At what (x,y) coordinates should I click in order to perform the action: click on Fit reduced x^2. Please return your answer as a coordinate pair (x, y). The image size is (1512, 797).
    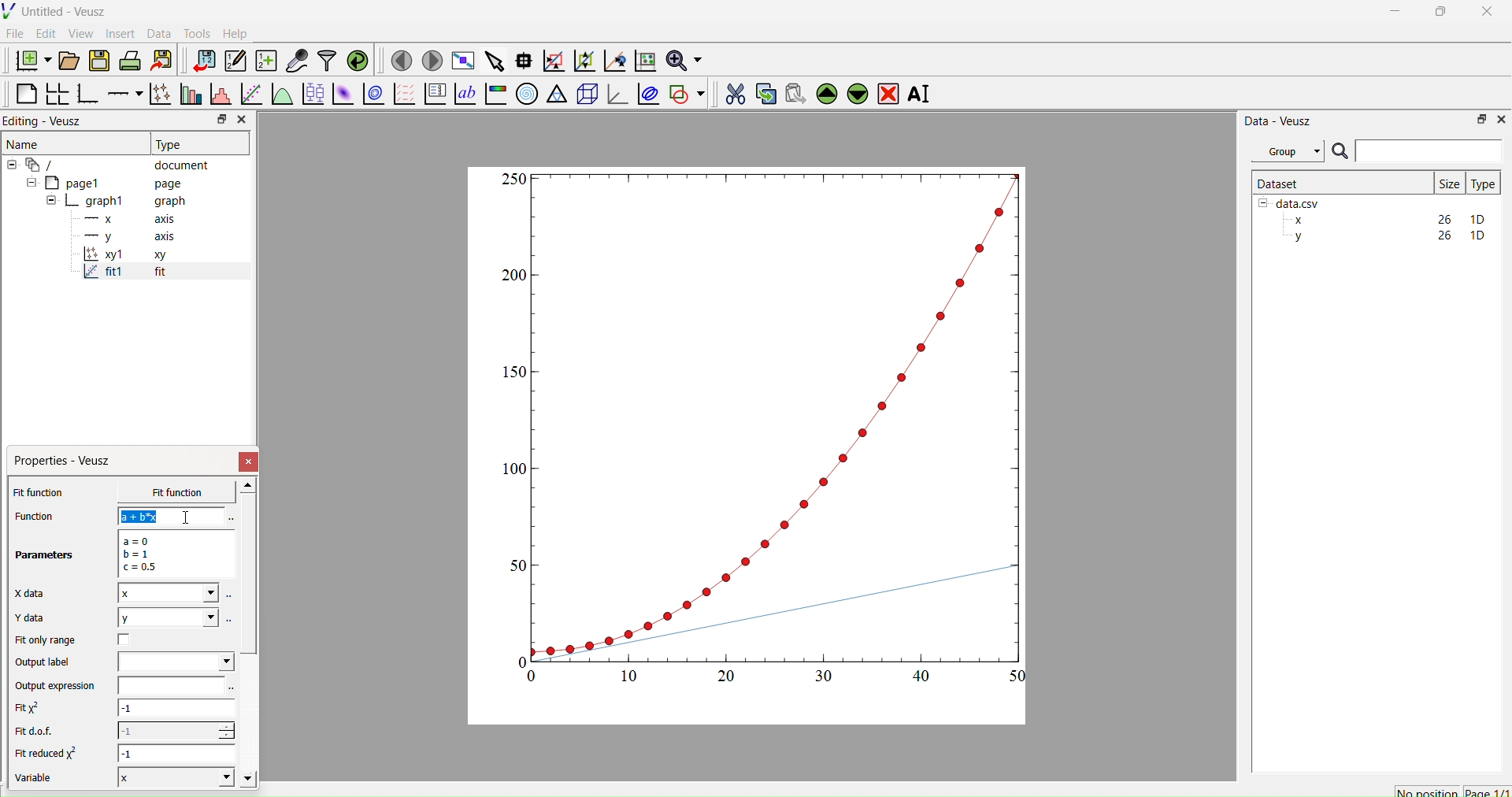
    Looking at the image, I should click on (49, 753).